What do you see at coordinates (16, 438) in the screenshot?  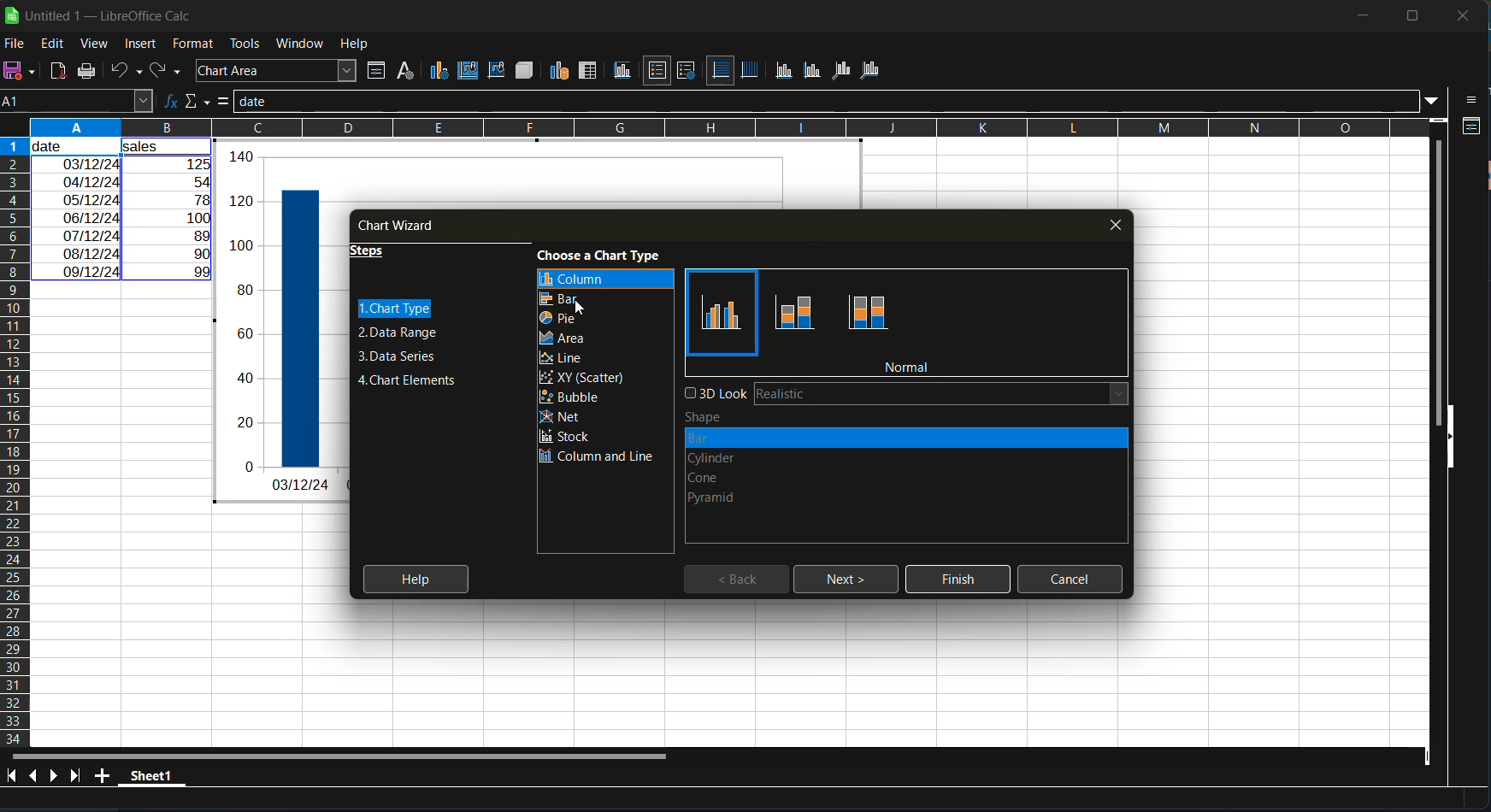 I see `columns` at bounding box center [16, 438].